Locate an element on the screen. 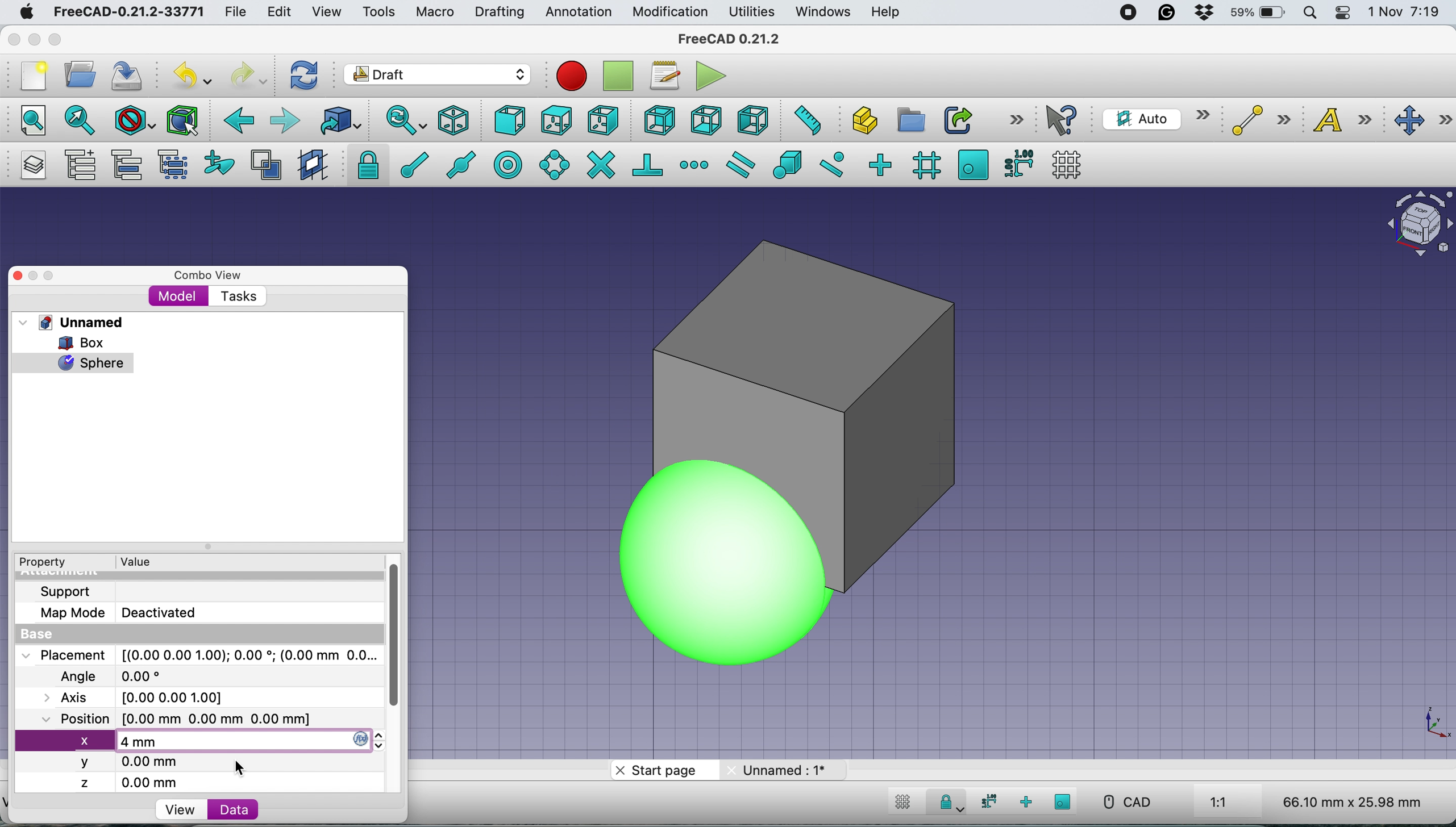 The width and height of the screenshot is (1456, 827). undo is located at coordinates (194, 74).